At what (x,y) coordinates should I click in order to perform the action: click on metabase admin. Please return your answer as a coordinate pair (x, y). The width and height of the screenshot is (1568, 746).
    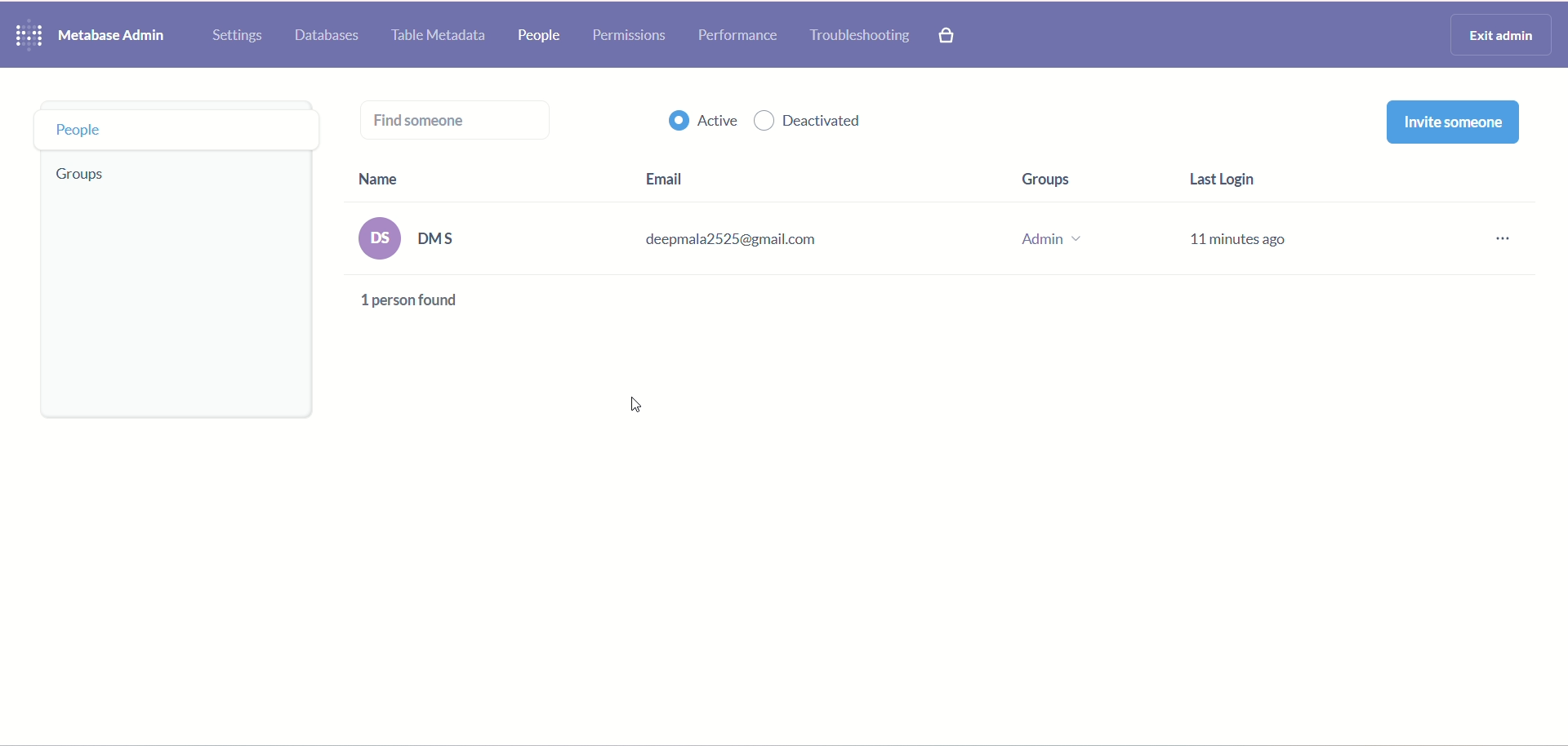
    Looking at the image, I should click on (120, 36).